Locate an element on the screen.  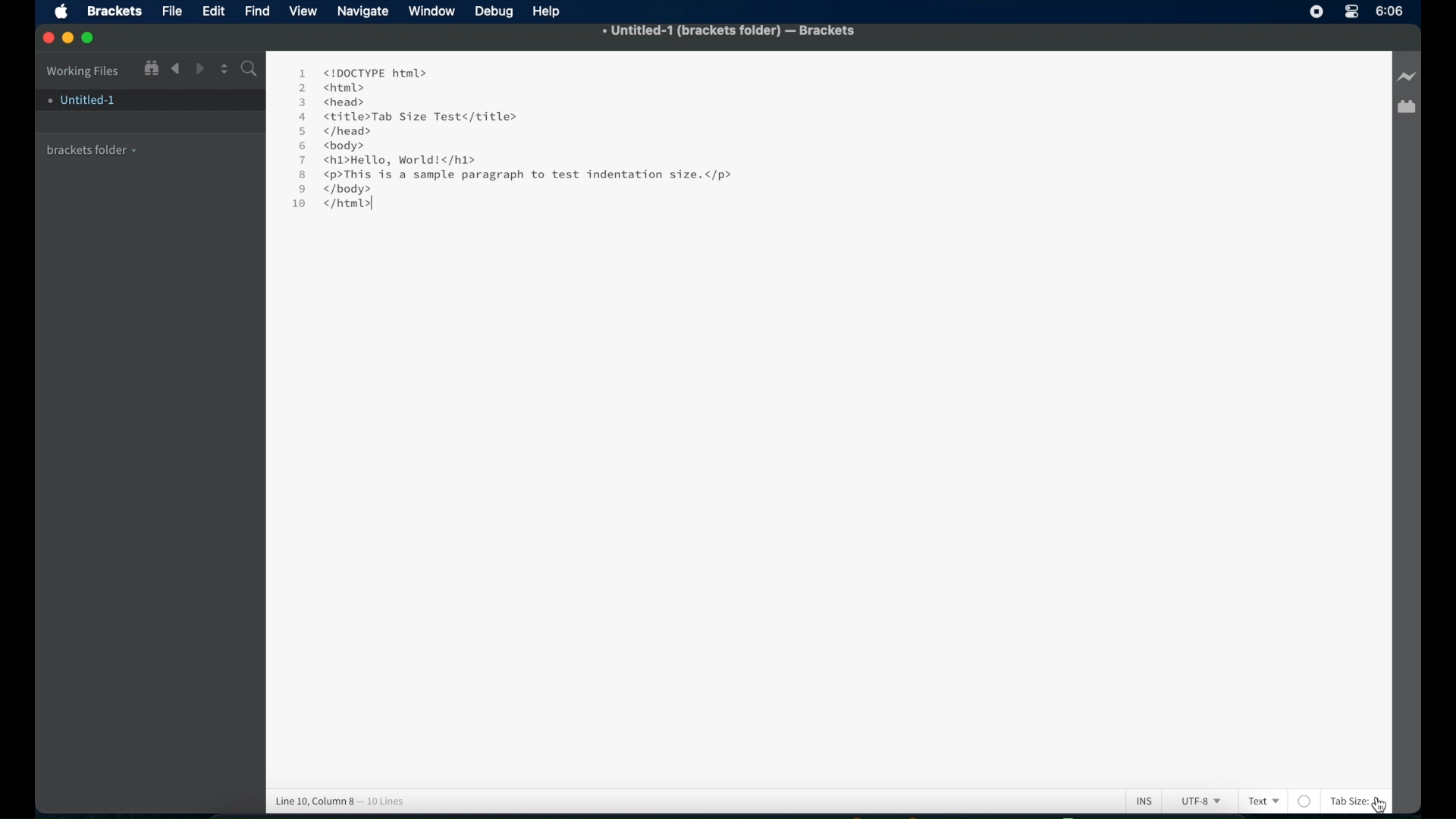
Zoom in is located at coordinates (150, 67).